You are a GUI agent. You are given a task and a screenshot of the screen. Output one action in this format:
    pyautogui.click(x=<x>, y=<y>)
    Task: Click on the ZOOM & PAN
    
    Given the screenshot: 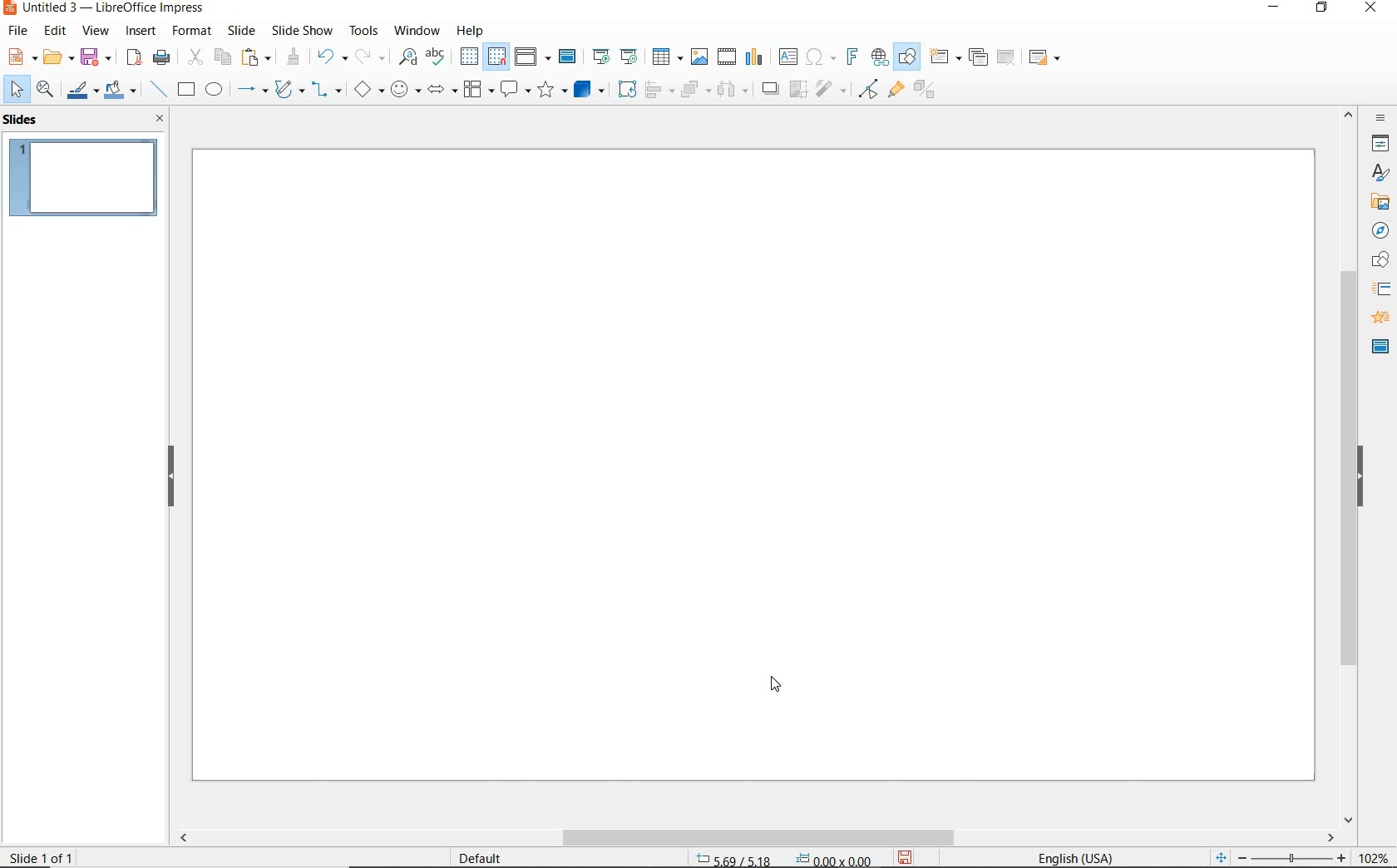 What is the action you would take?
    pyautogui.click(x=46, y=89)
    